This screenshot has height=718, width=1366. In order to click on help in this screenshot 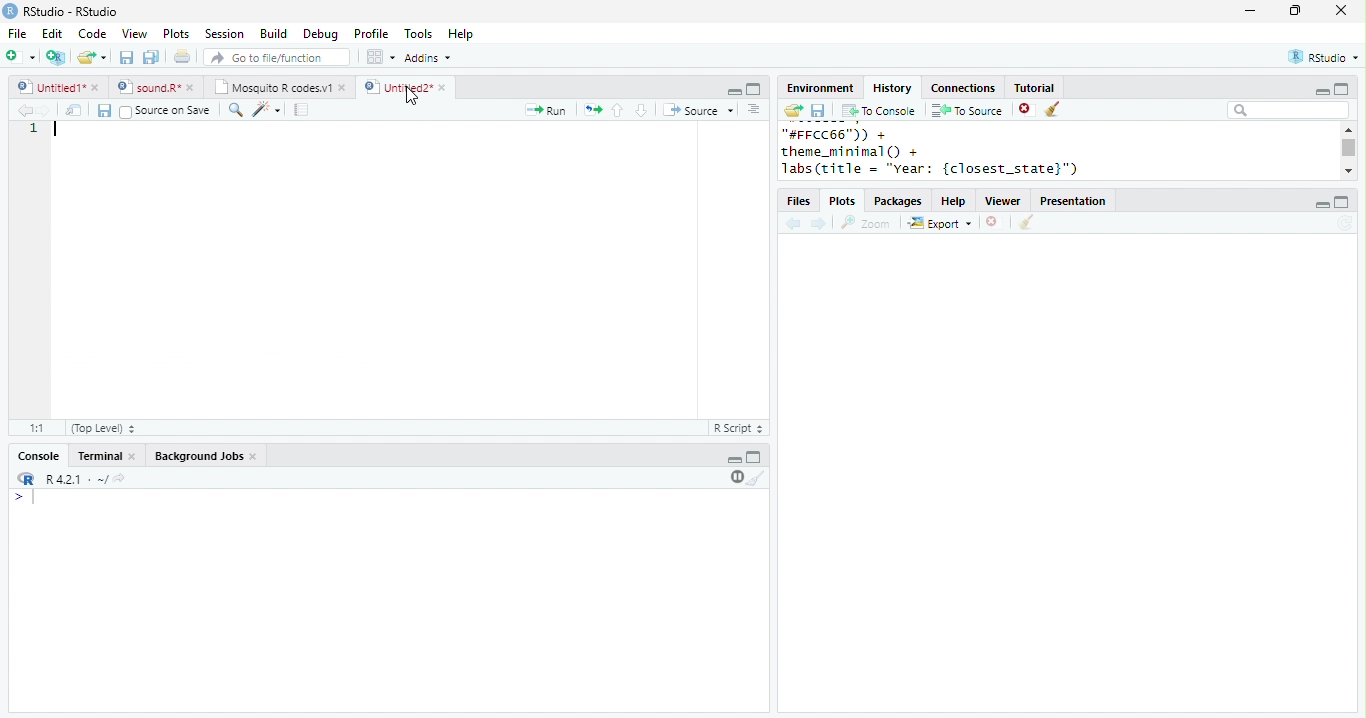, I will do `click(954, 202)`.